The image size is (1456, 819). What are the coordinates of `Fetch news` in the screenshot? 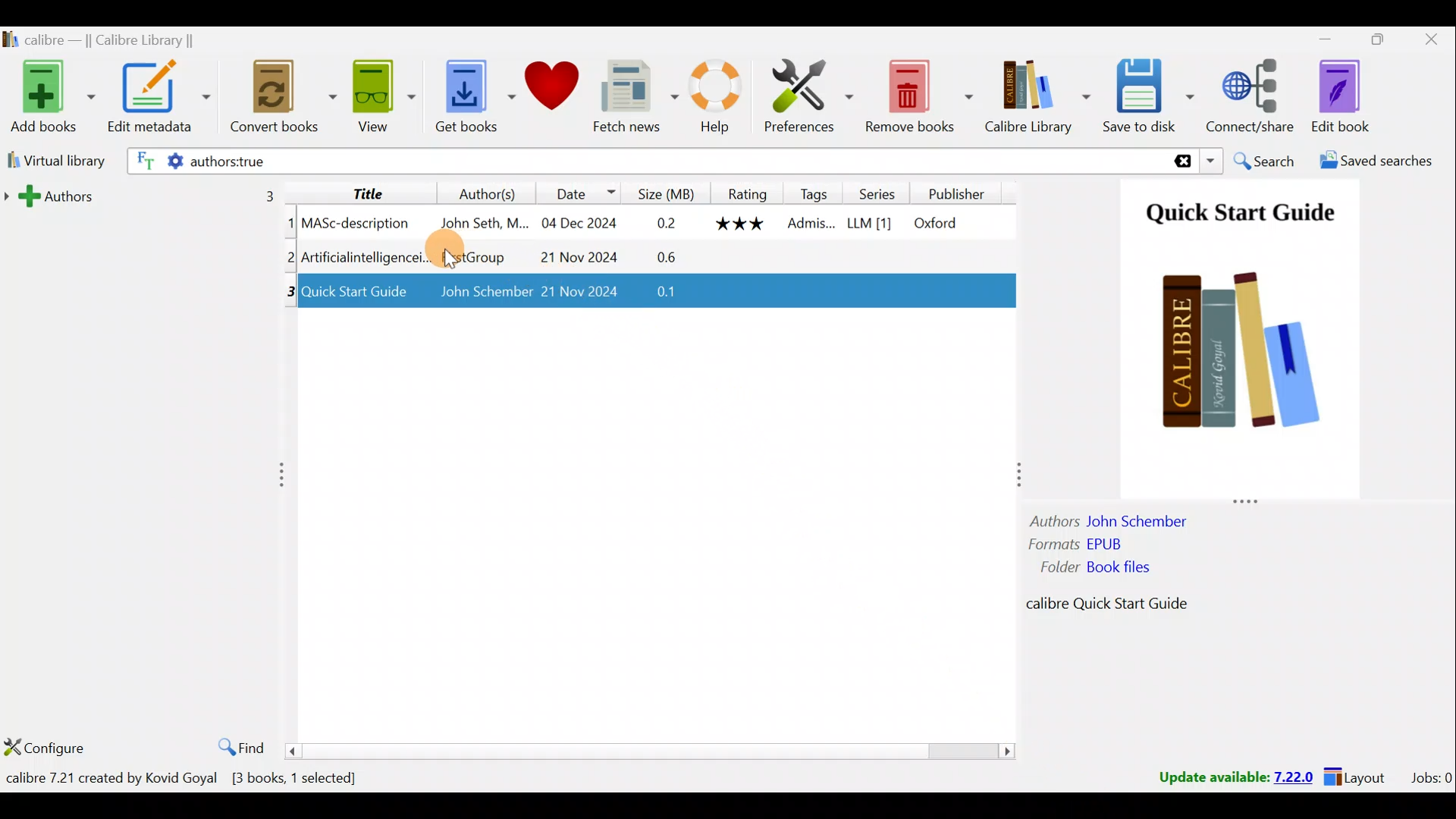 It's located at (626, 96).